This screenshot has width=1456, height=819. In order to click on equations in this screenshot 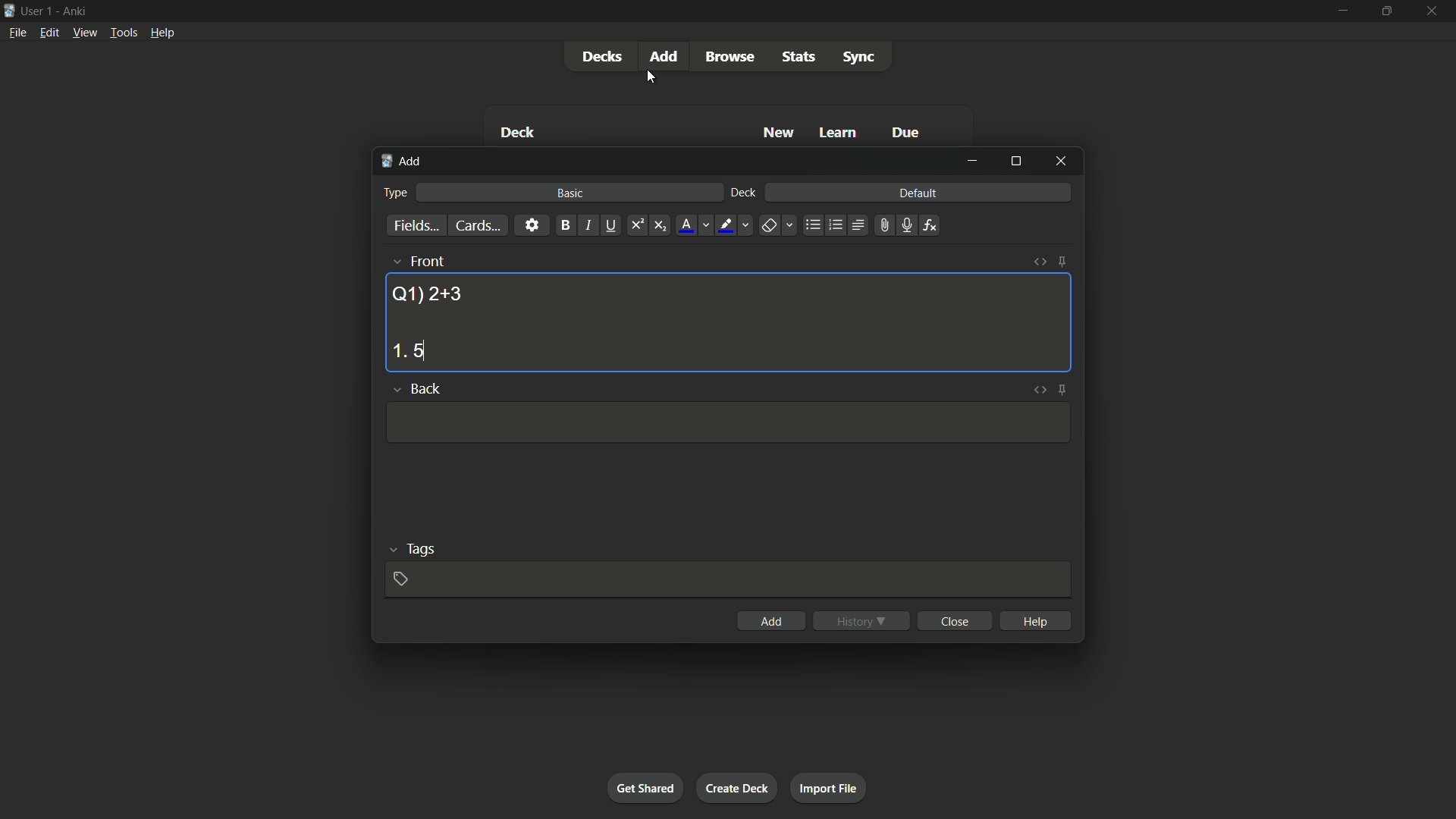, I will do `click(930, 225)`.